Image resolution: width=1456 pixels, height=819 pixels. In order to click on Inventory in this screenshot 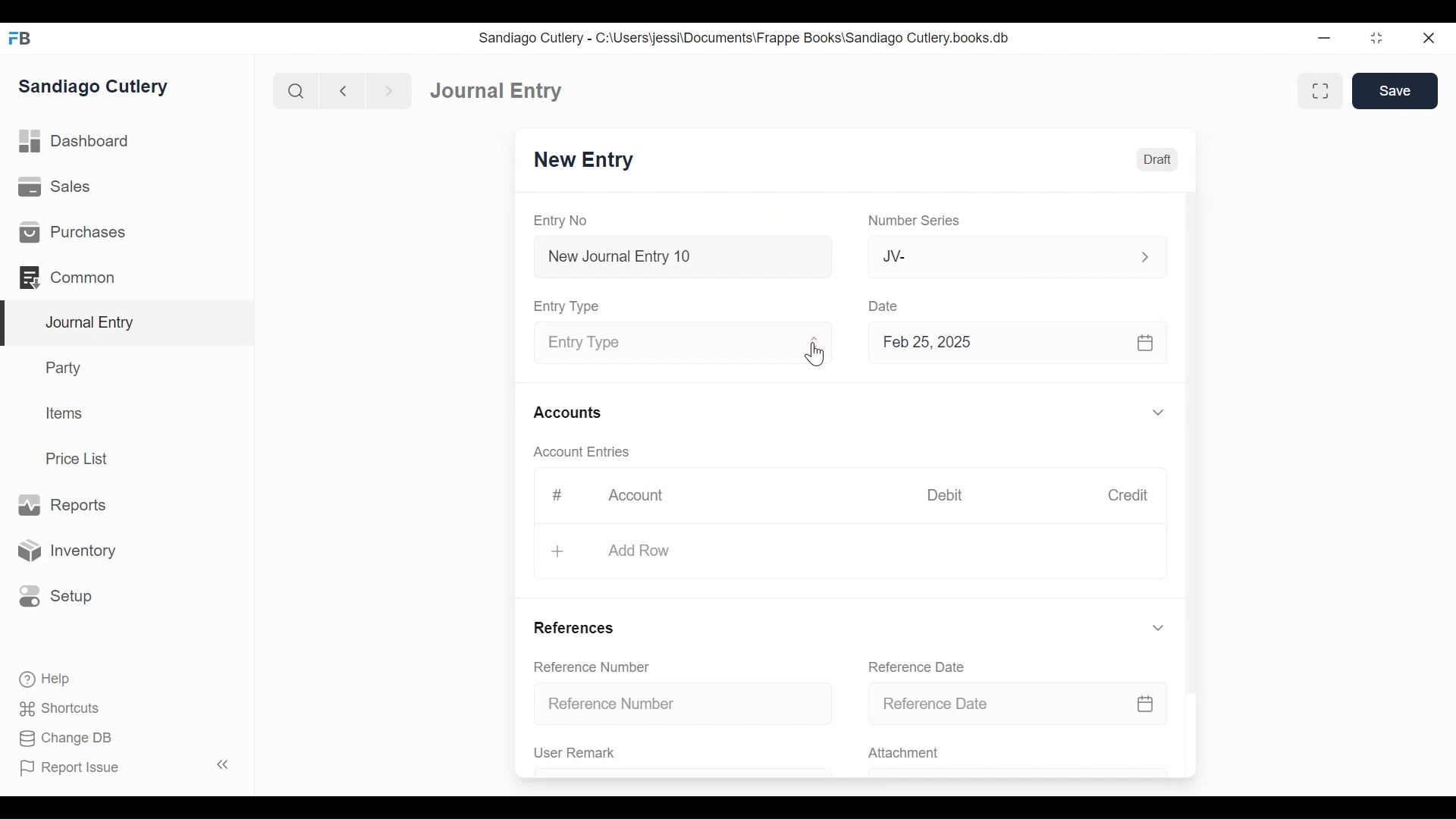, I will do `click(71, 550)`.